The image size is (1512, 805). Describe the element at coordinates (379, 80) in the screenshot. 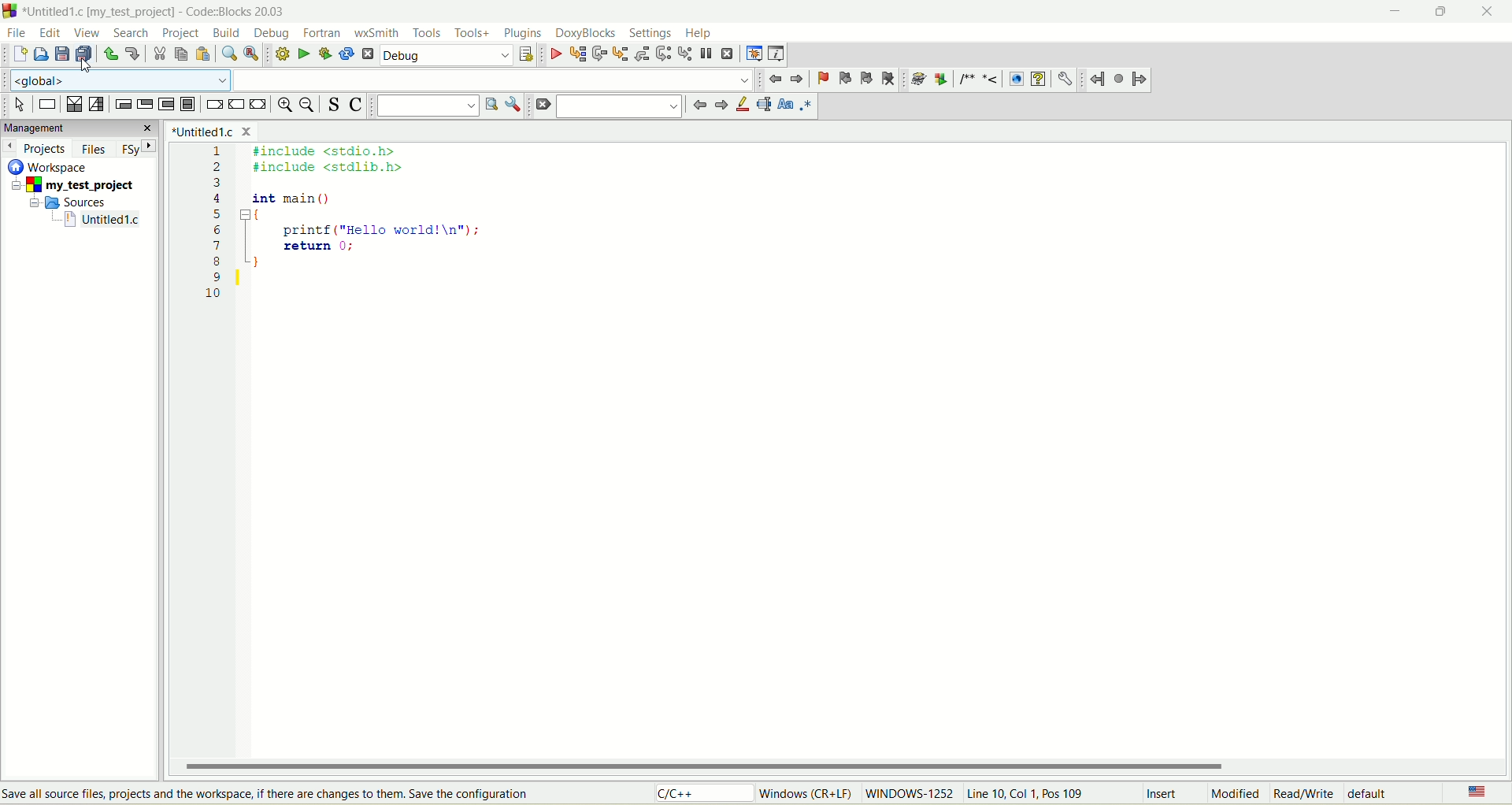

I see `Code completion compiler` at that location.